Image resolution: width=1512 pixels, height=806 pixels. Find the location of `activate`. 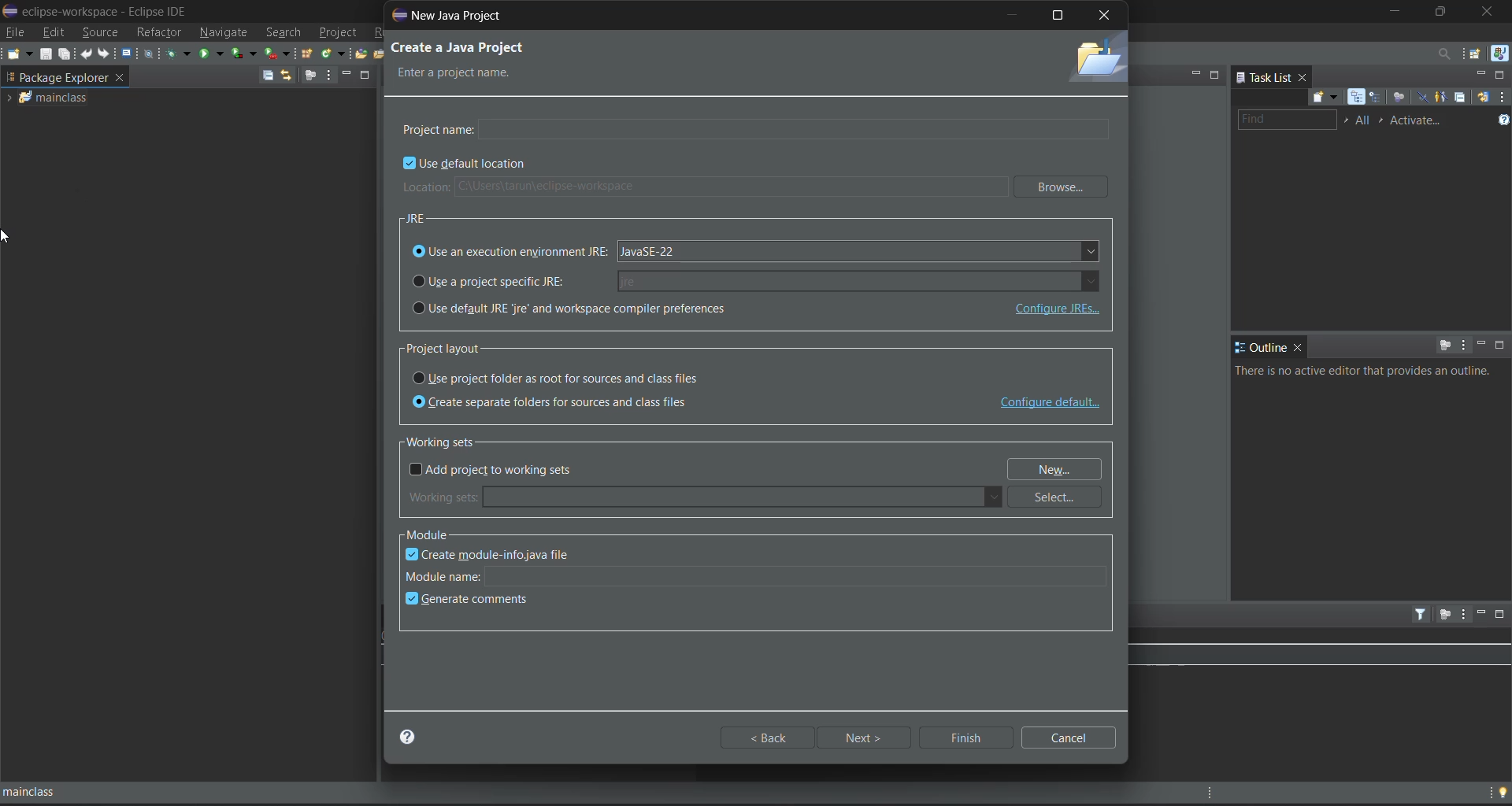

activate is located at coordinates (1420, 121).